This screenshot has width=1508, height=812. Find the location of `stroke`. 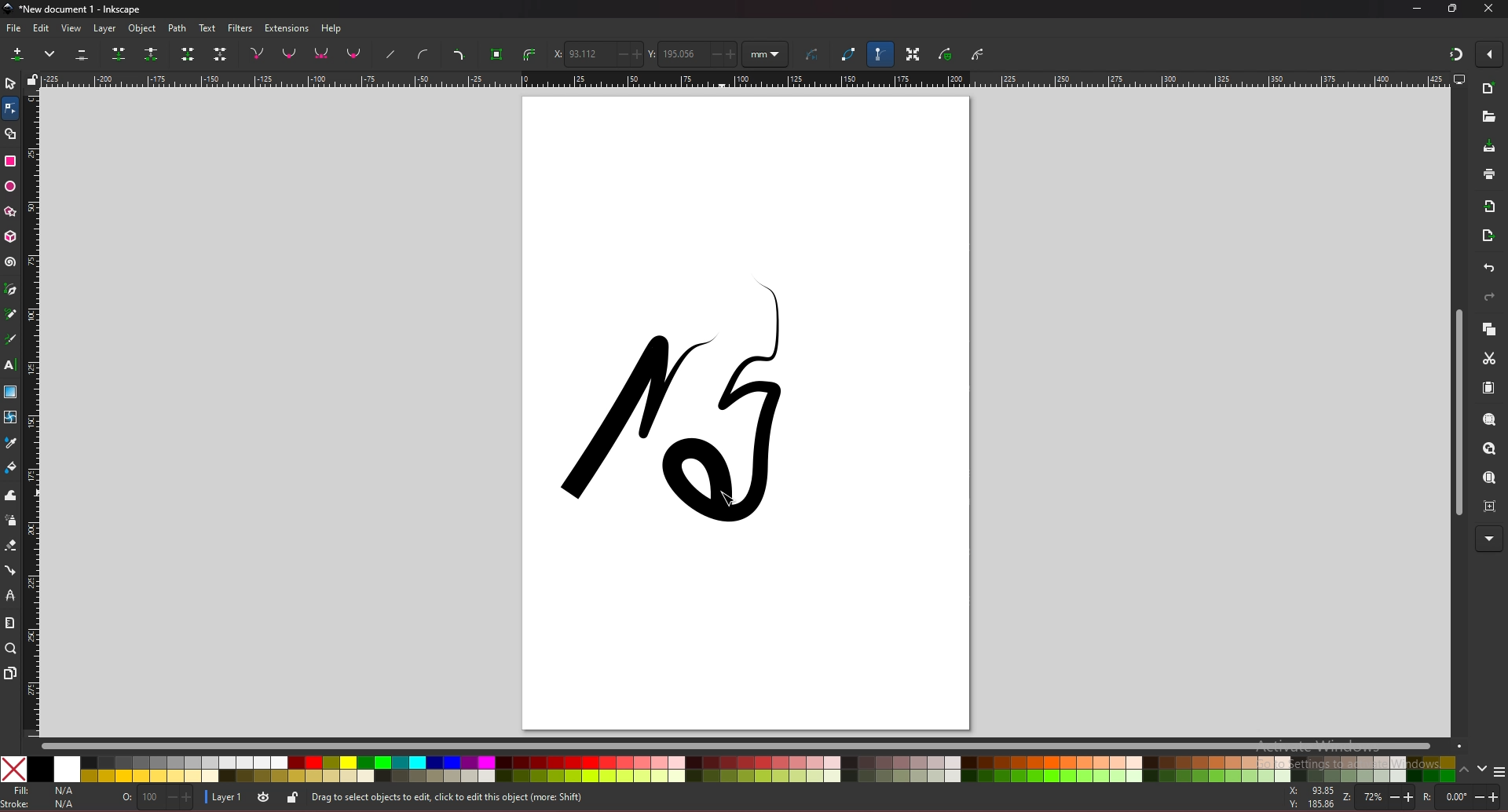

stroke is located at coordinates (39, 807).